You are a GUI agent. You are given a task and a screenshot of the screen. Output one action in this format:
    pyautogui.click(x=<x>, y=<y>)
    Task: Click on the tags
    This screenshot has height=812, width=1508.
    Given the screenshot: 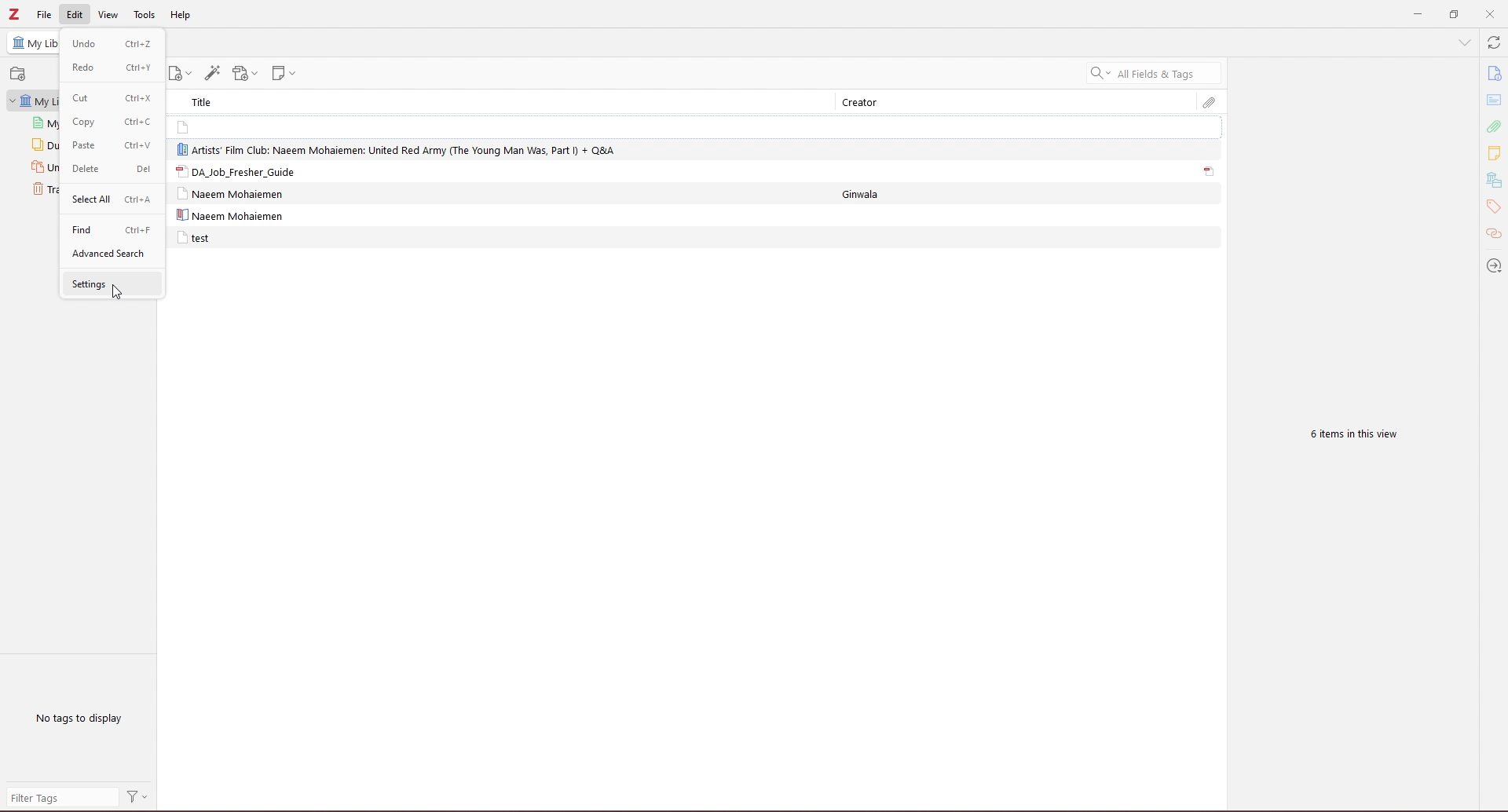 What is the action you would take?
    pyautogui.click(x=1493, y=207)
    